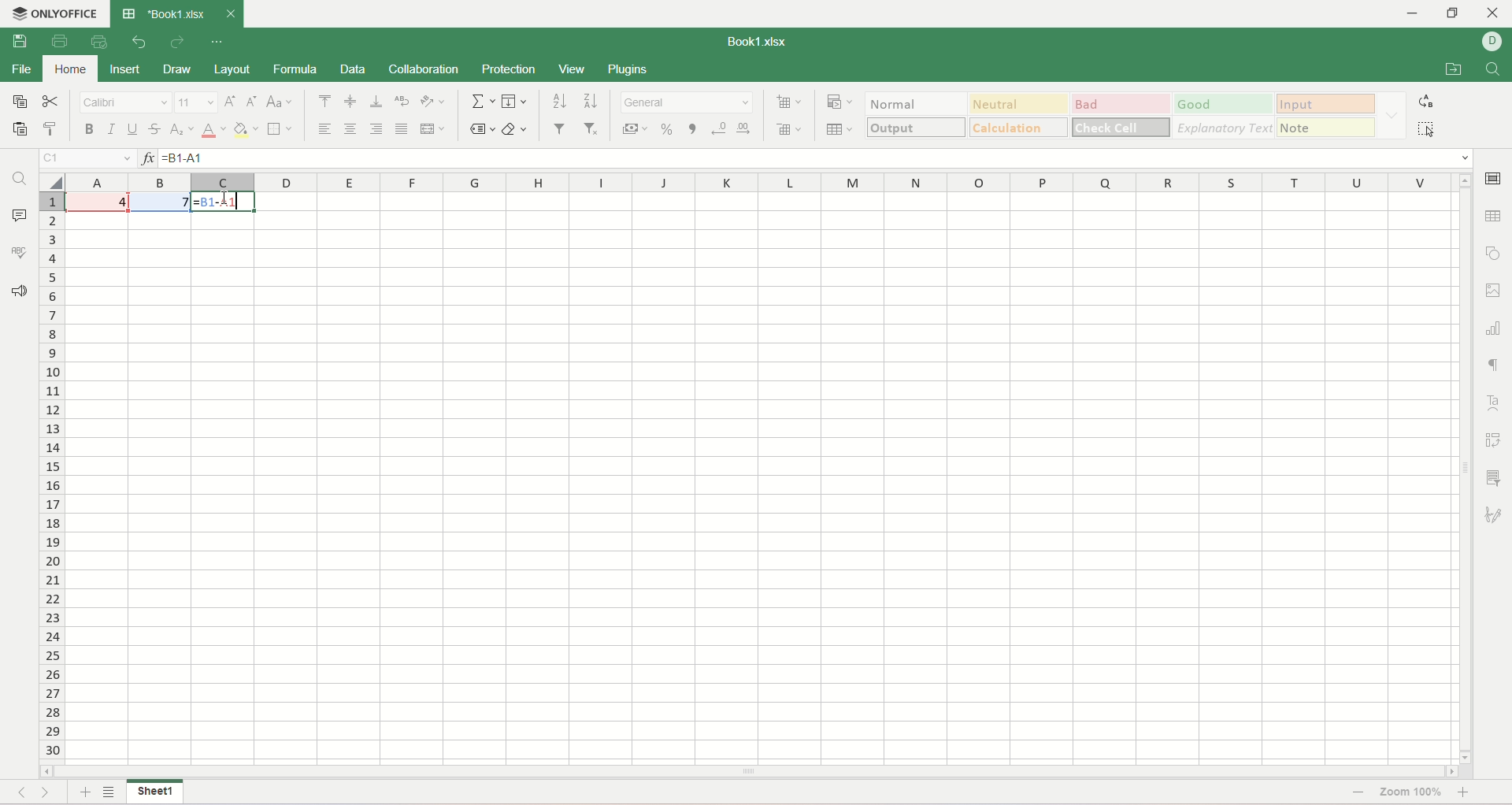 This screenshot has height=805, width=1512. Describe the element at coordinates (785, 128) in the screenshot. I see `remove cell` at that location.